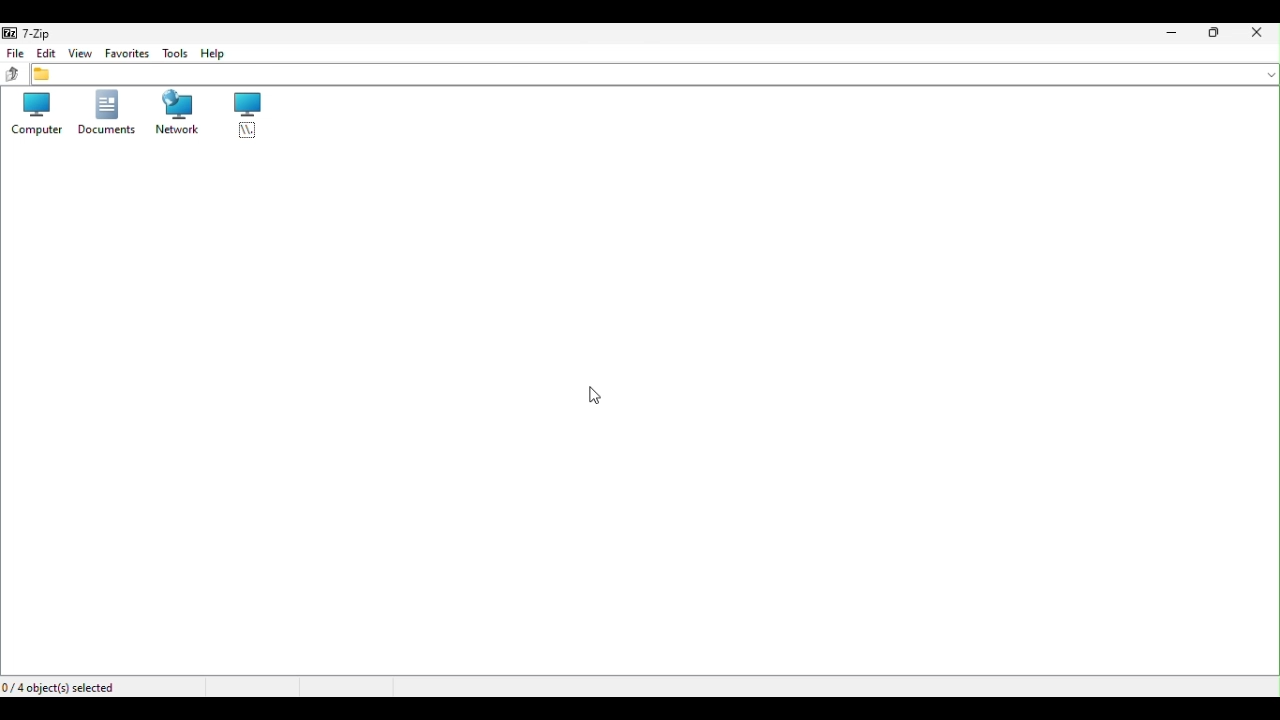 The width and height of the screenshot is (1280, 720). What do you see at coordinates (30, 34) in the screenshot?
I see `7 zip logo` at bounding box center [30, 34].